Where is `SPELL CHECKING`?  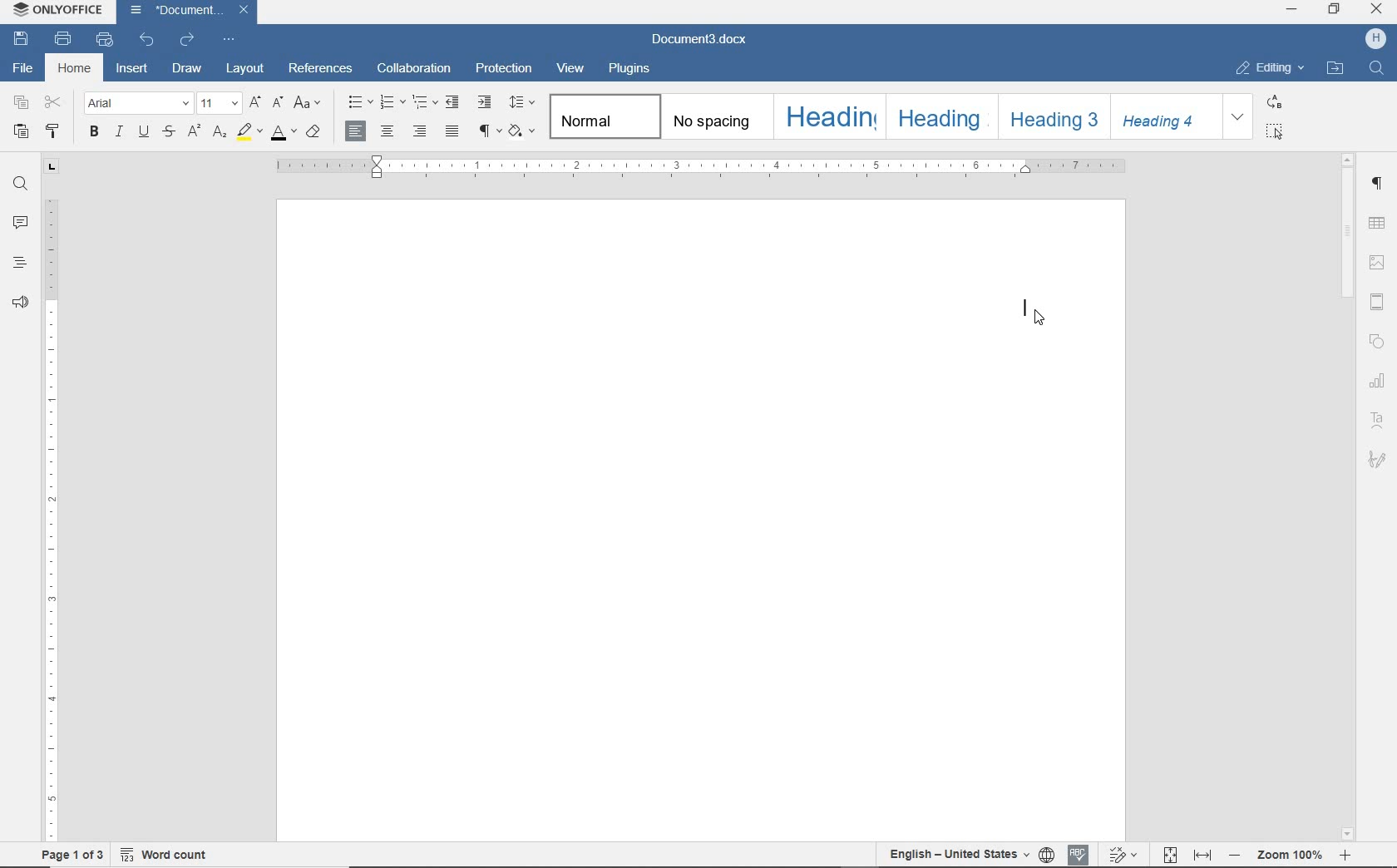
SPELL CHECKING is located at coordinates (1079, 854).